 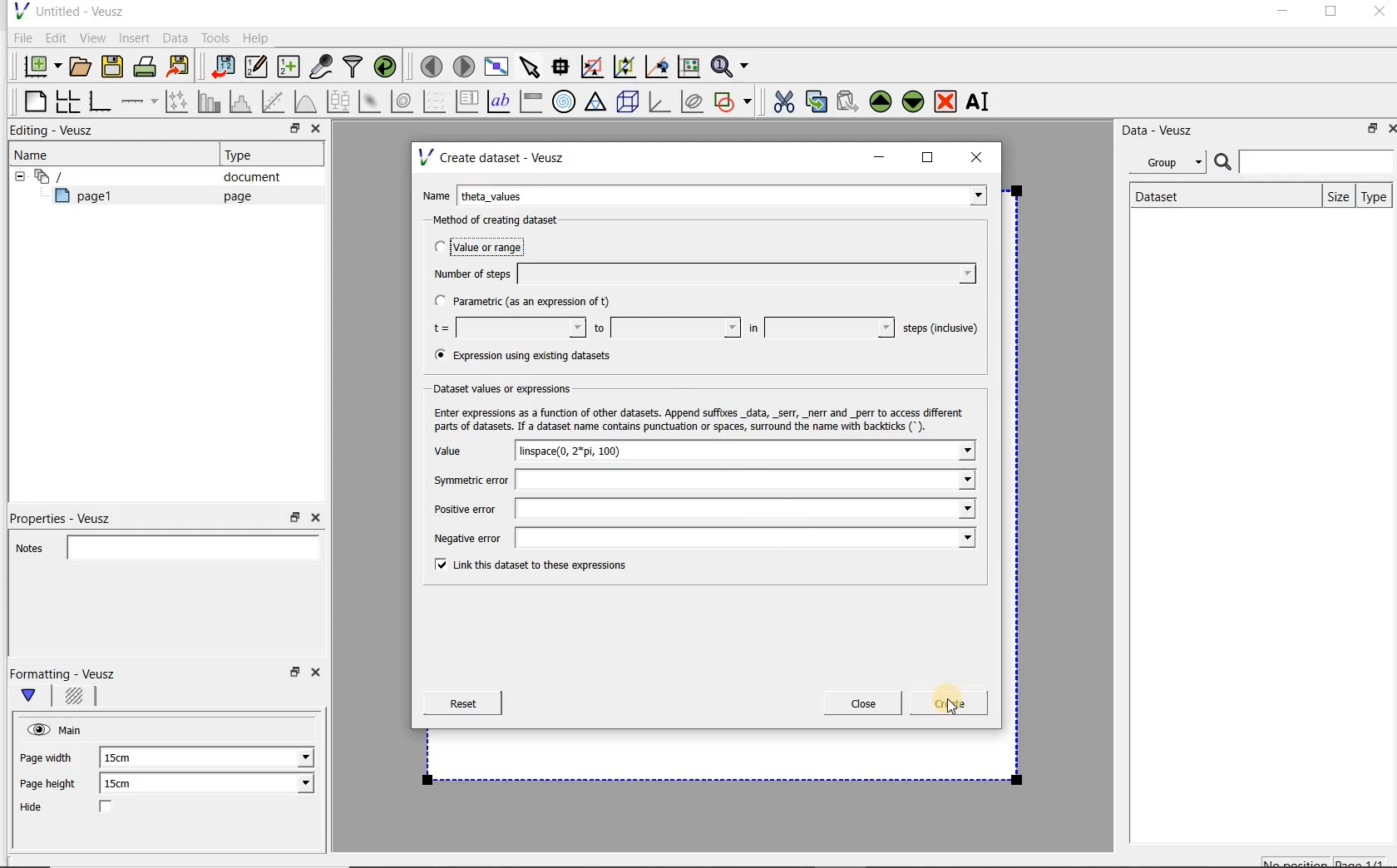 I want to click on Close, so click(x=314, y=131).